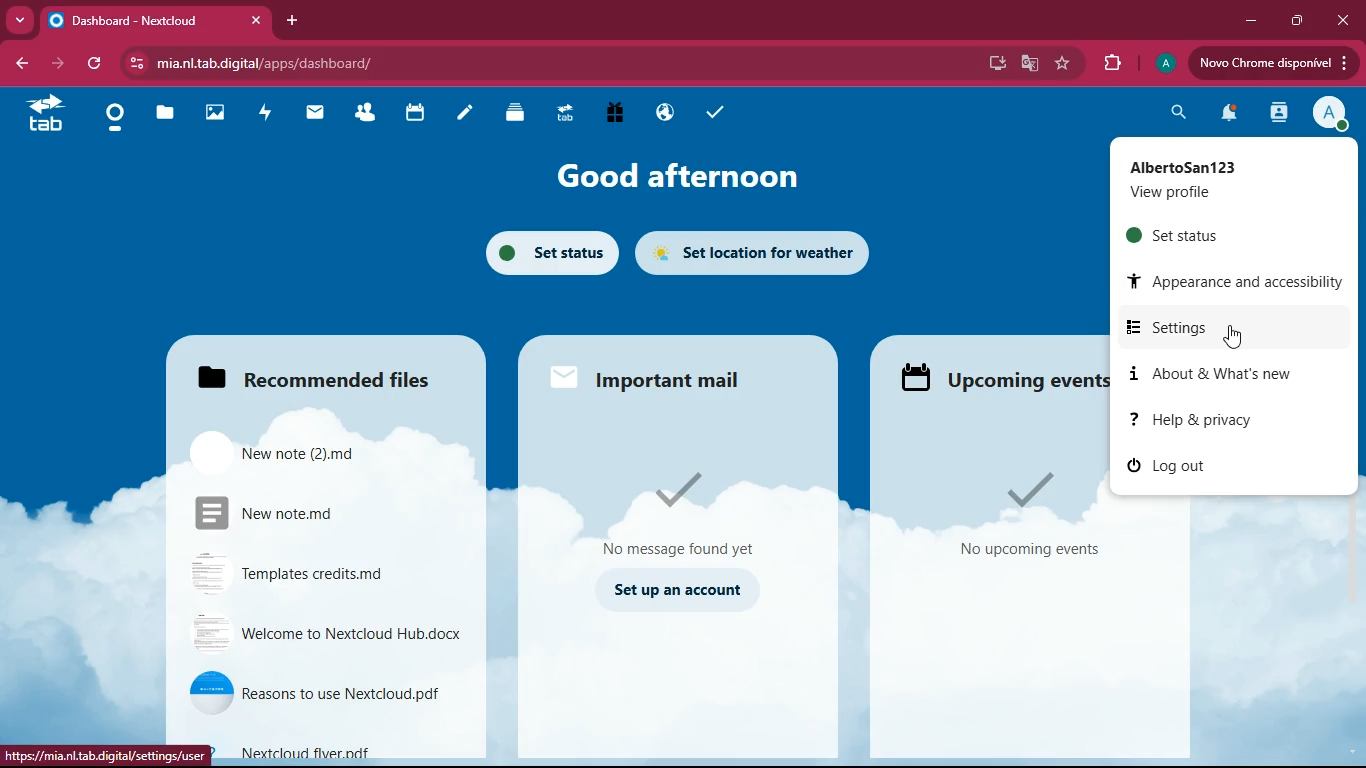  I want to click on add tab, so click(292, 24).